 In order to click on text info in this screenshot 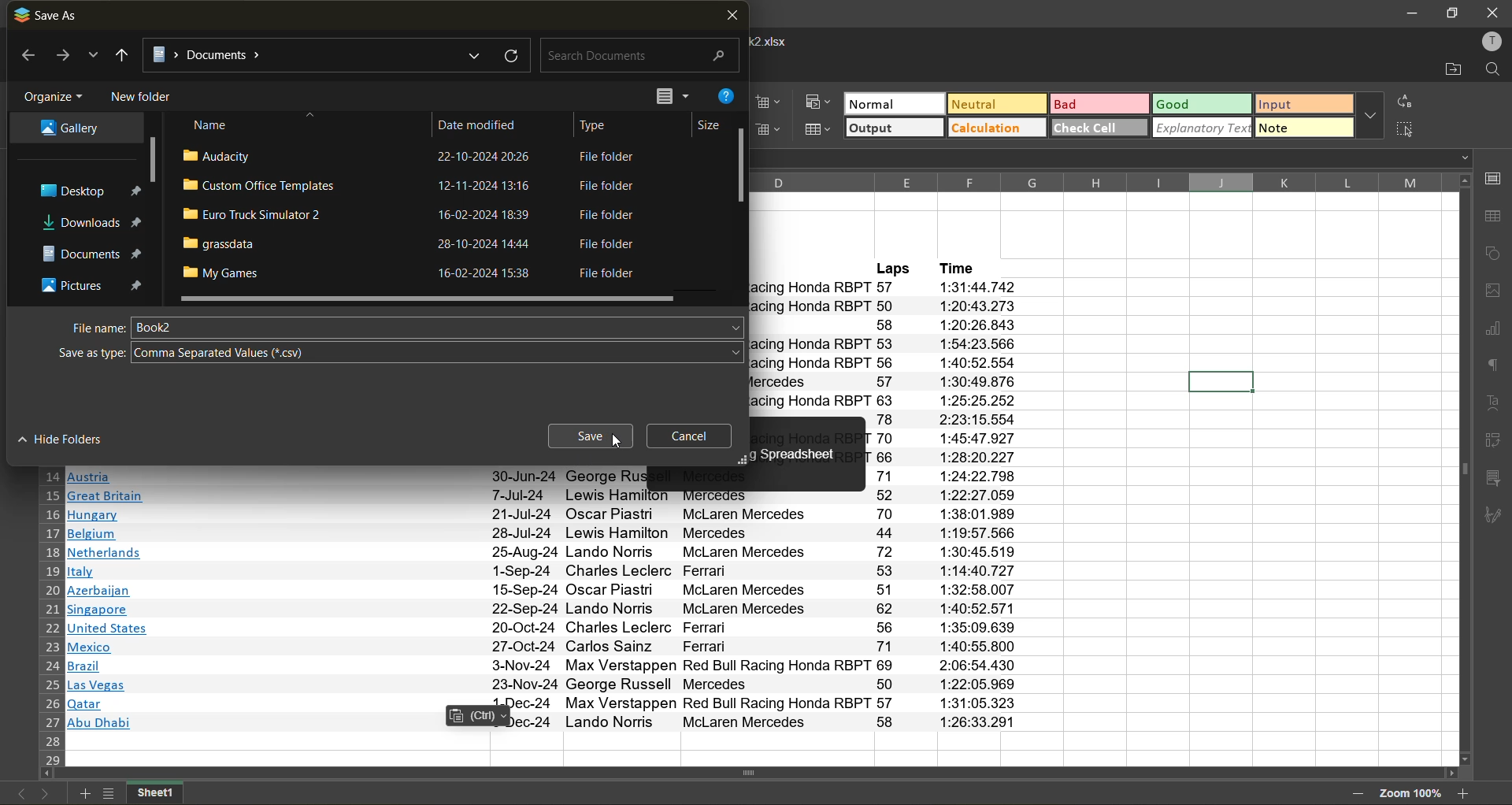, I will do `click(547, 610)`.